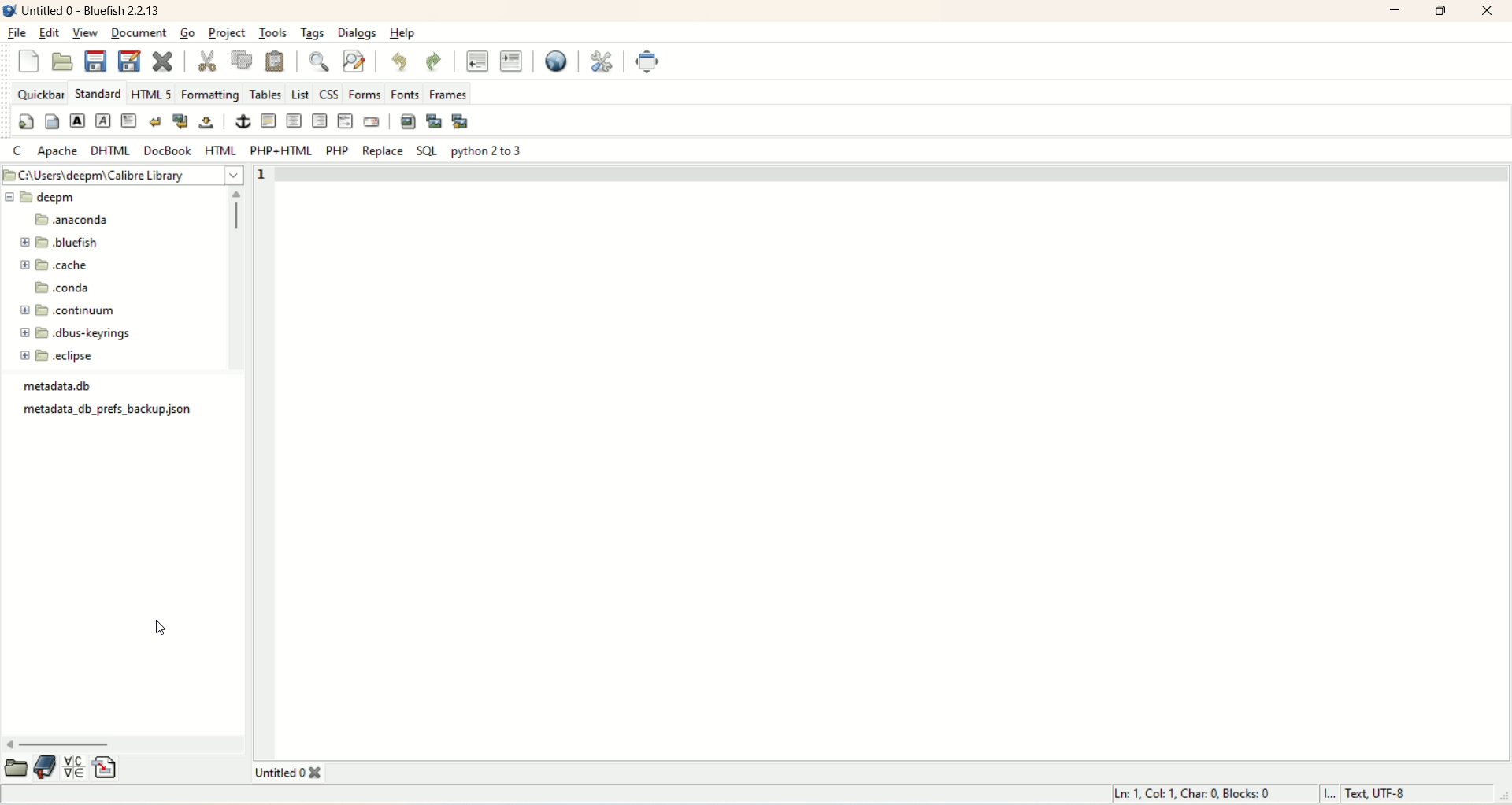 The image size is (1512, 805). Describe the element at coordinates (168, 150) in the screenshot. I see `docbook` at that location.